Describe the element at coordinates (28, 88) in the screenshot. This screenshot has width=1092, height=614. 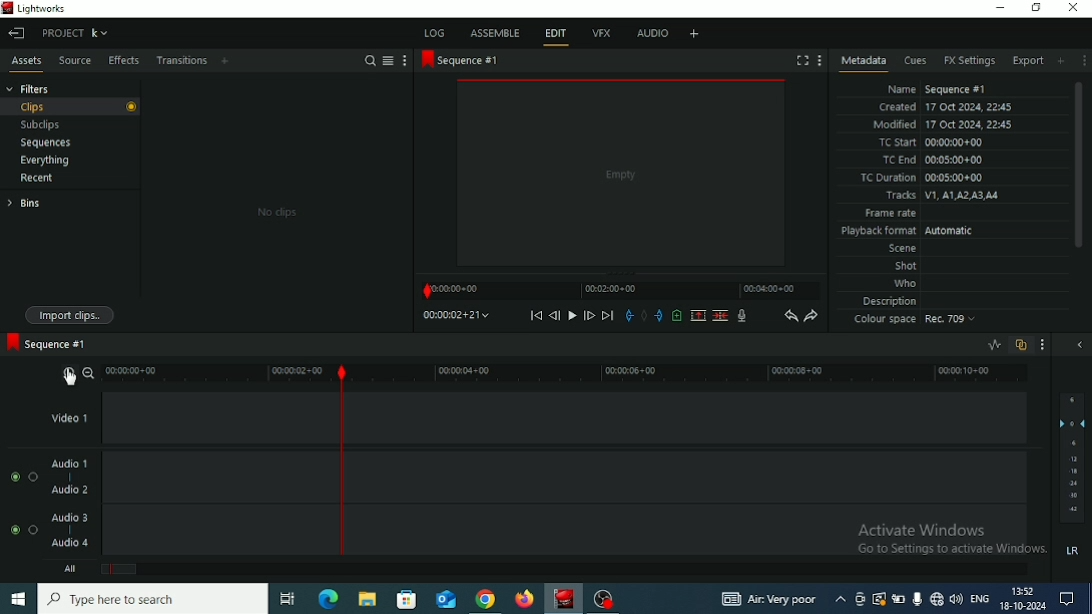
I see `Filters` at that location.